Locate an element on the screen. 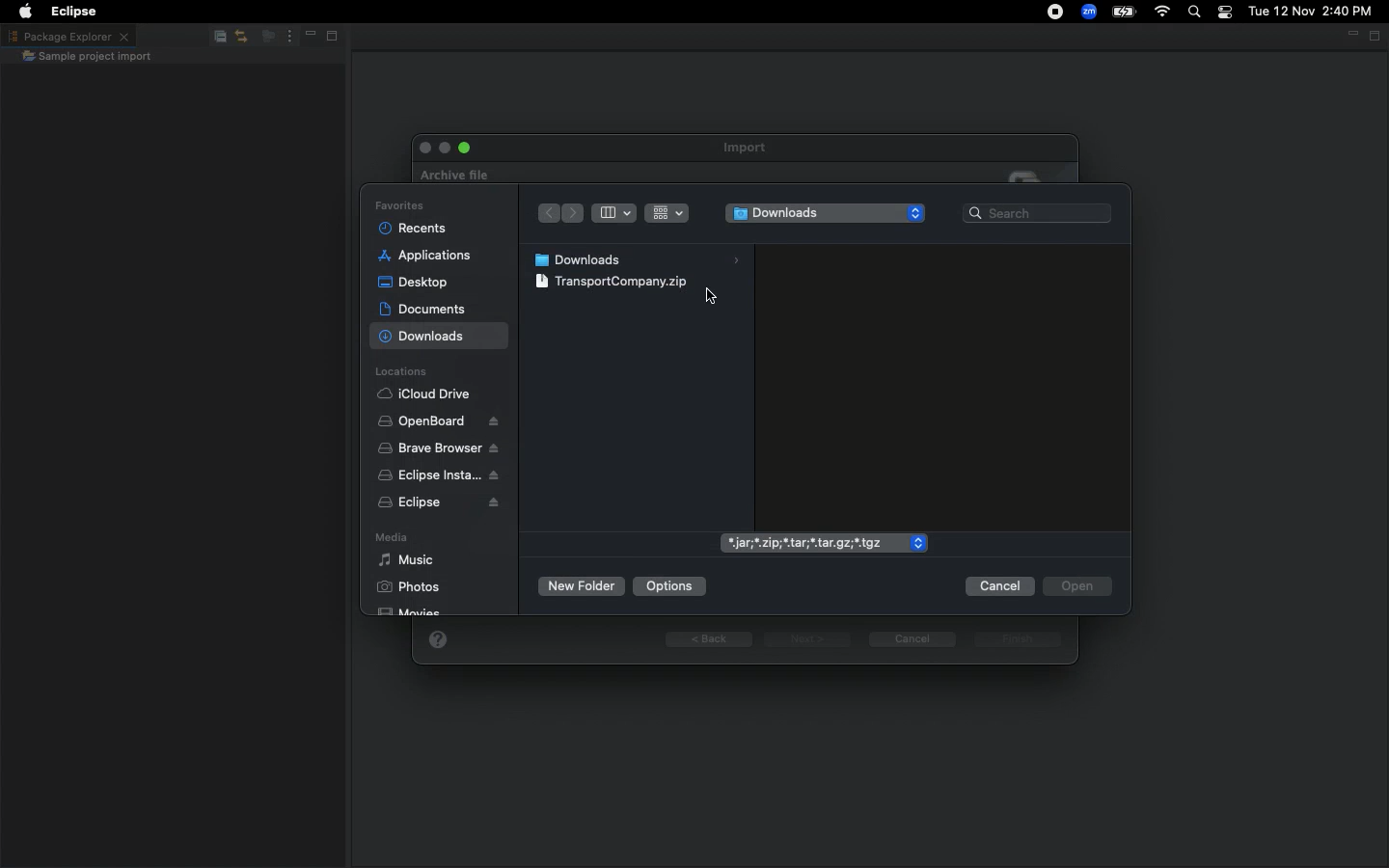 The image size is (1389, 868). Back is located at coordinates (710, 639).